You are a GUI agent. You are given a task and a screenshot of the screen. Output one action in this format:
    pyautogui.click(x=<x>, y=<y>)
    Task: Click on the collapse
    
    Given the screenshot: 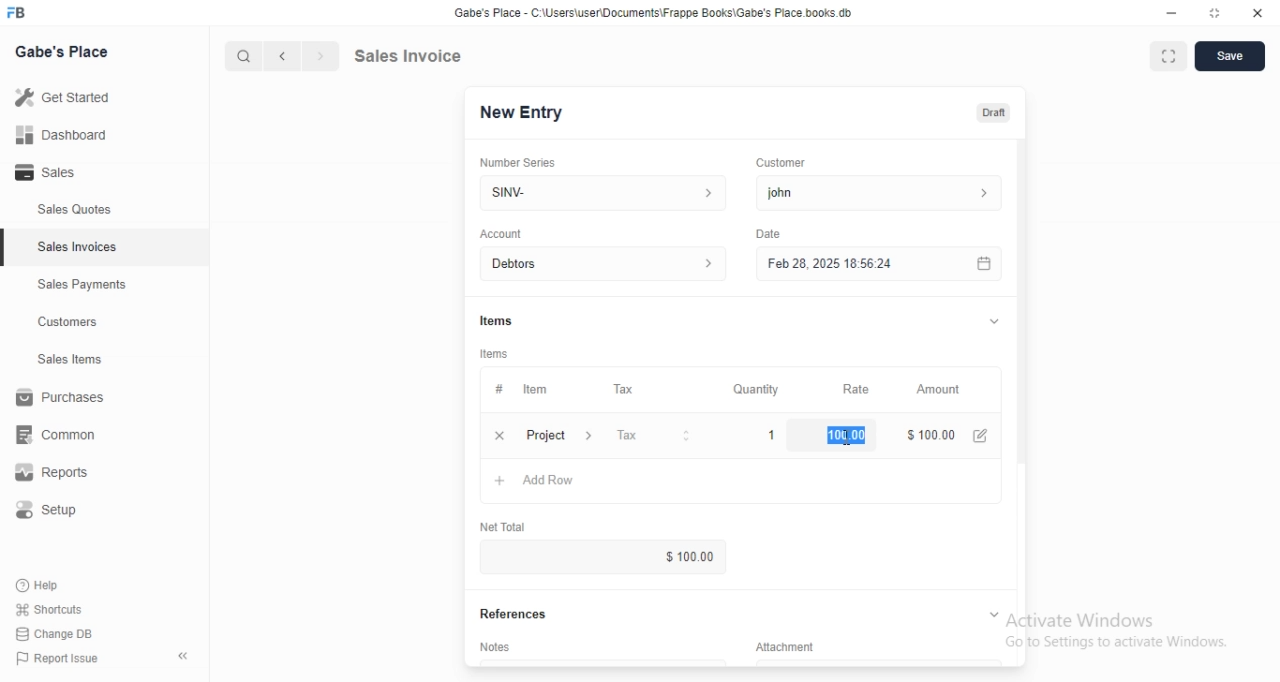 What is the action you would take?
    pyautogui.click(x=992, y=613)
    